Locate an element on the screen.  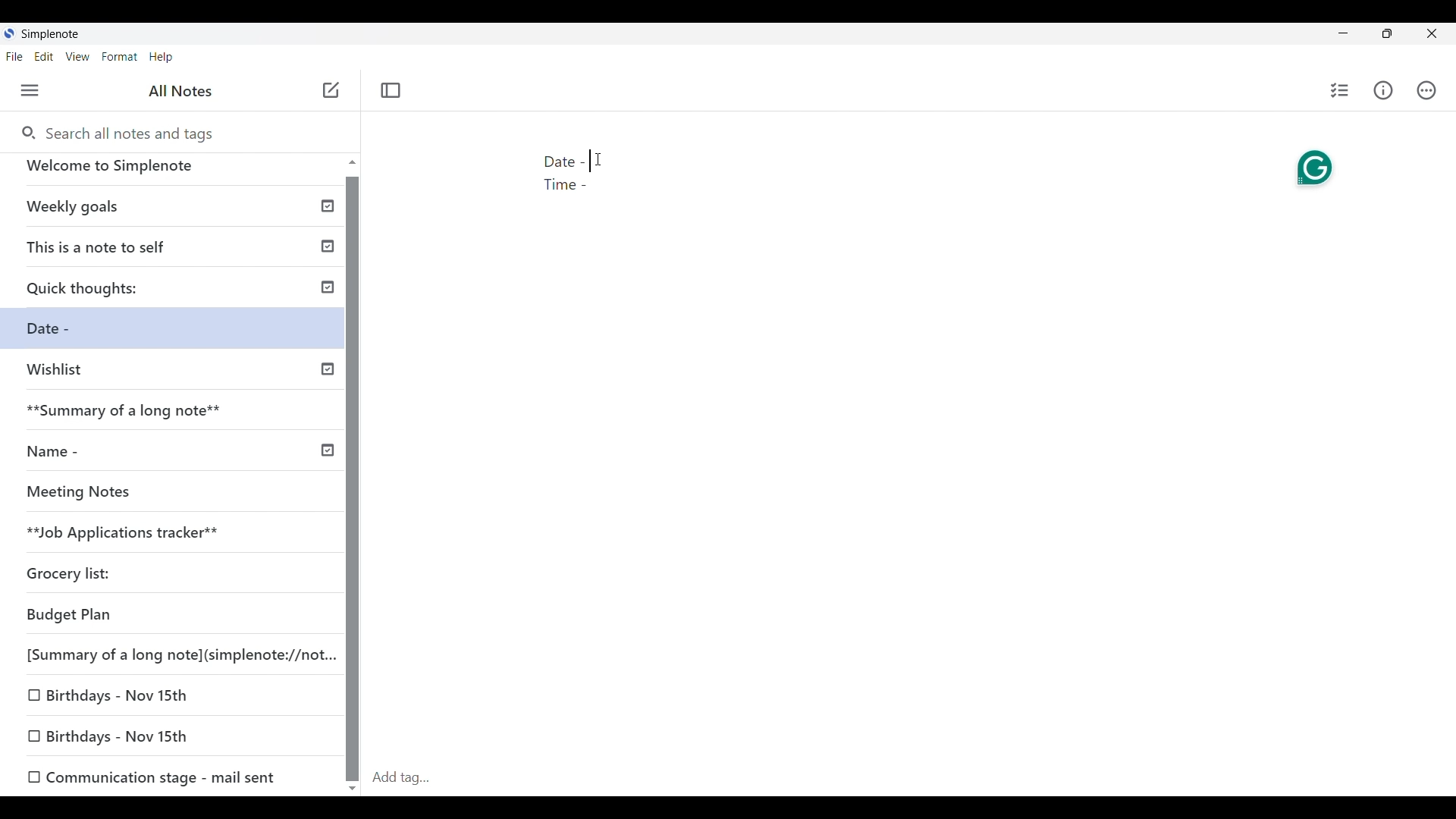
Software name is located at coordinates (50, 34).